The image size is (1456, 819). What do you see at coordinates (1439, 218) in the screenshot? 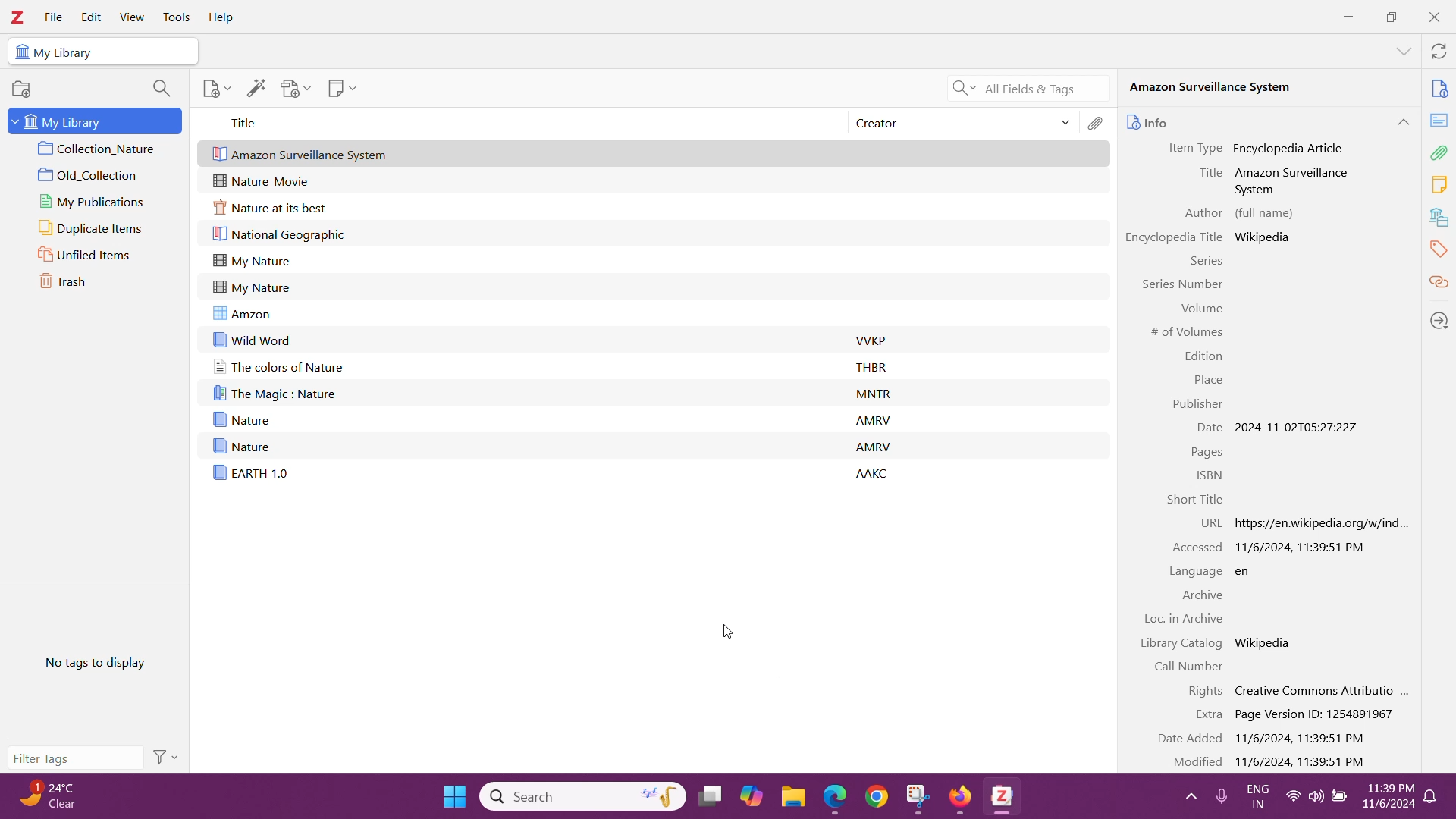
I see `Libraries and Collections` at bounding box center [1439, 218].